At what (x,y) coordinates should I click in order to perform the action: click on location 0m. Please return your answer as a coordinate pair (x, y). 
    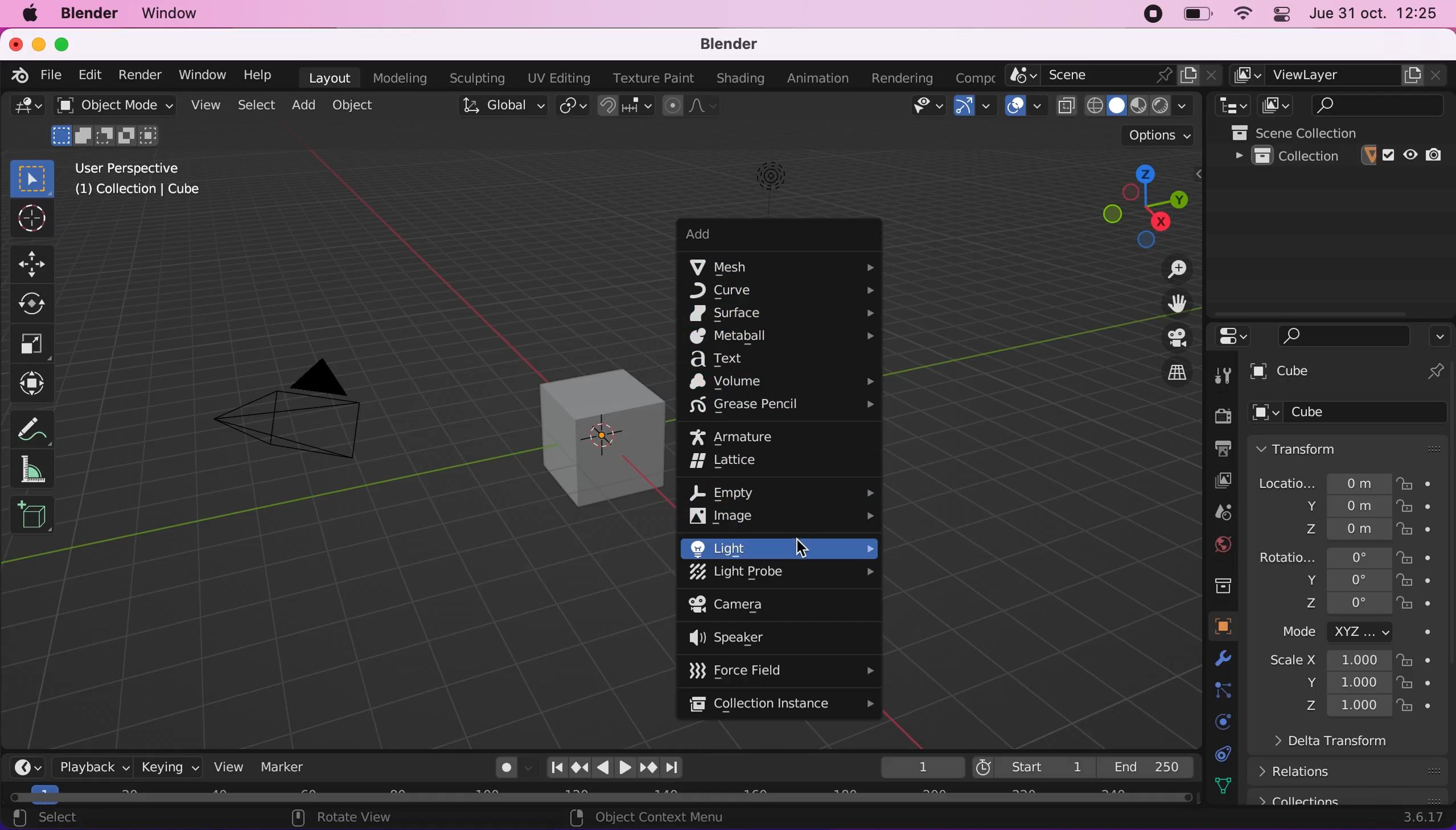
    Looking at the image, I should click on (1323, 482).